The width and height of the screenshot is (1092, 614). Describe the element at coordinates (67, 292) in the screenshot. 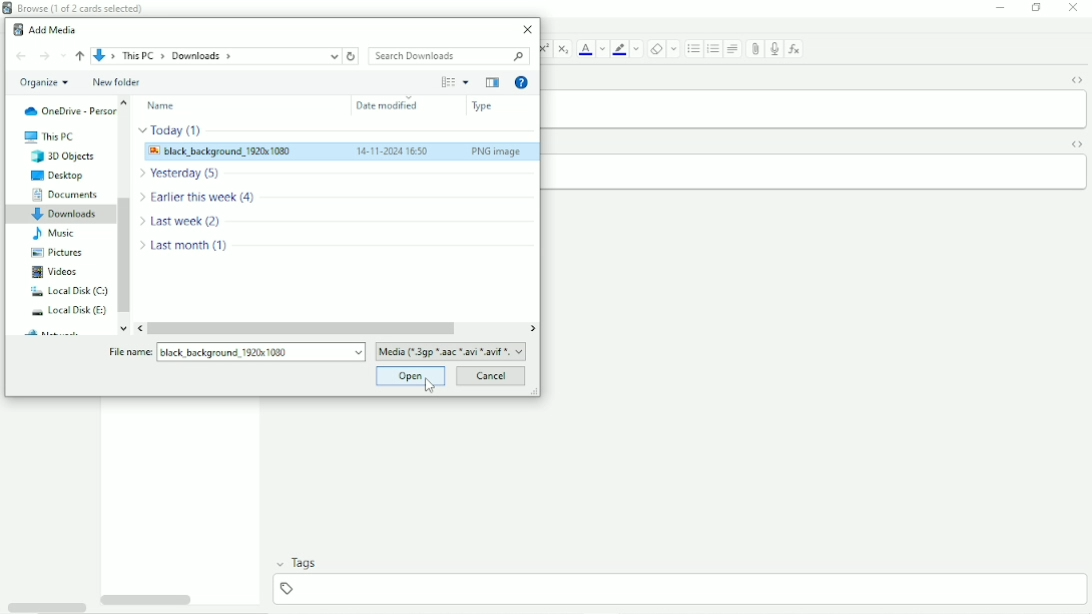

I see `Local Disk (C:)` at that location.